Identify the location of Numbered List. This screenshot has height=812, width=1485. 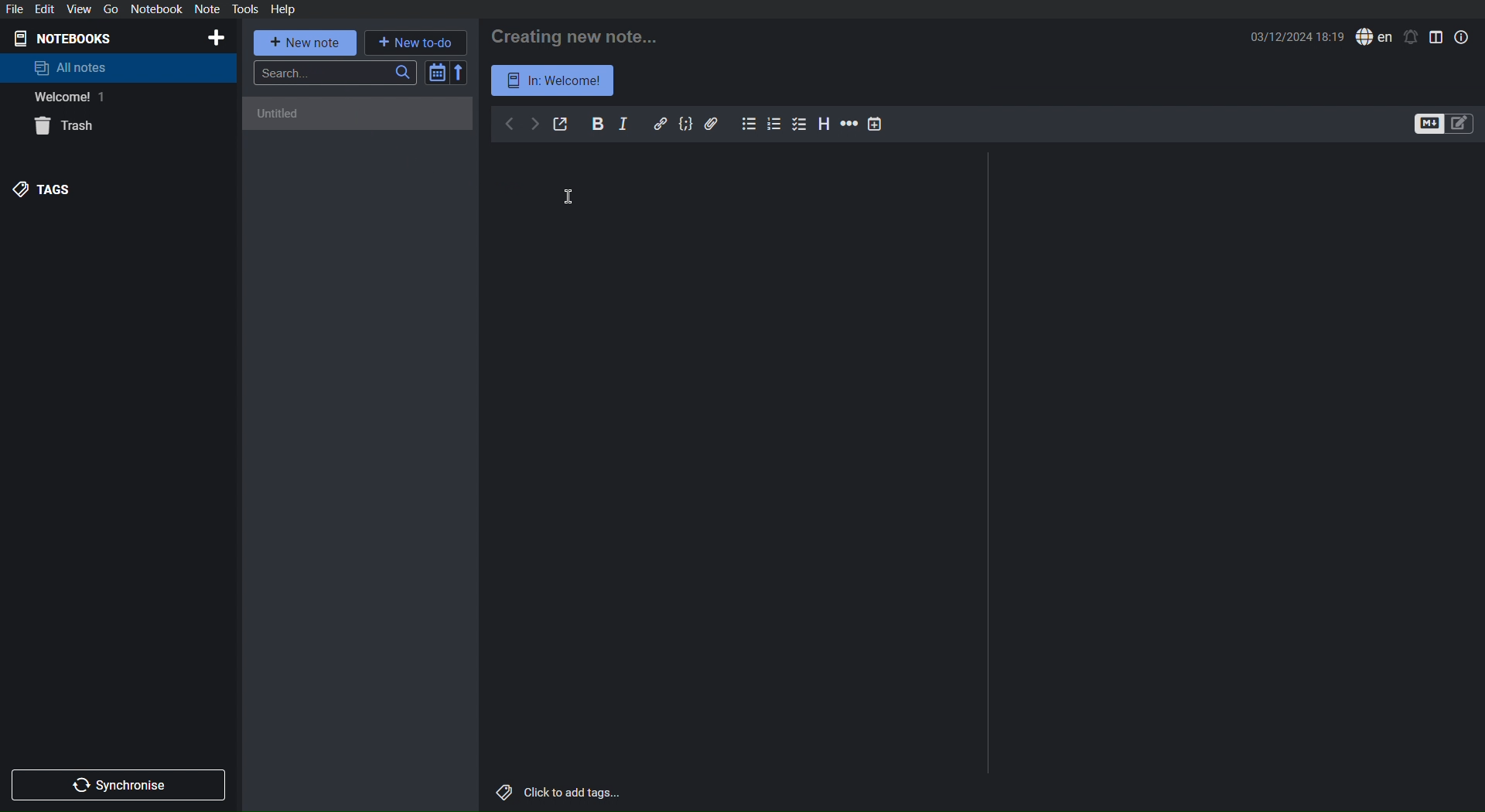
(776, 124).